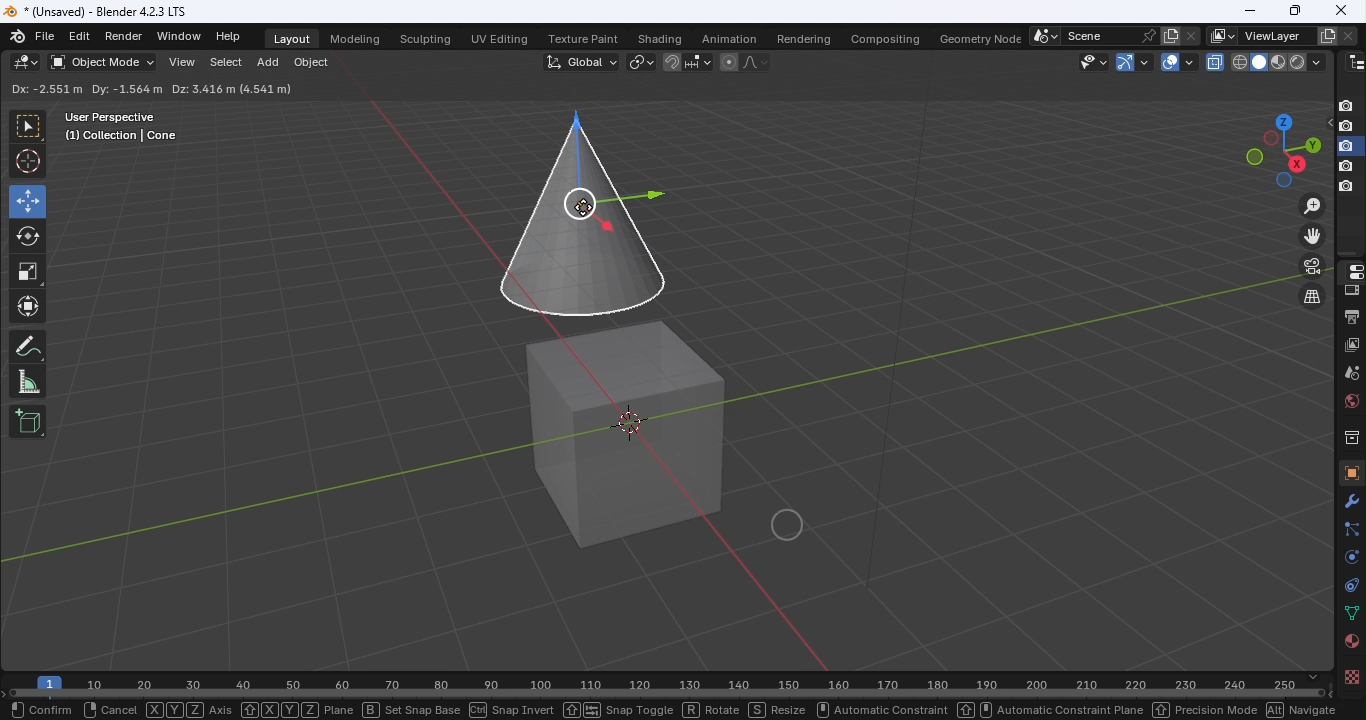 The width and height of the screenshot is (1366, 720). What do you see at coordinates (1353, 344) in the screenshot?
I see `View layer` at bounding box center [1353, 344].